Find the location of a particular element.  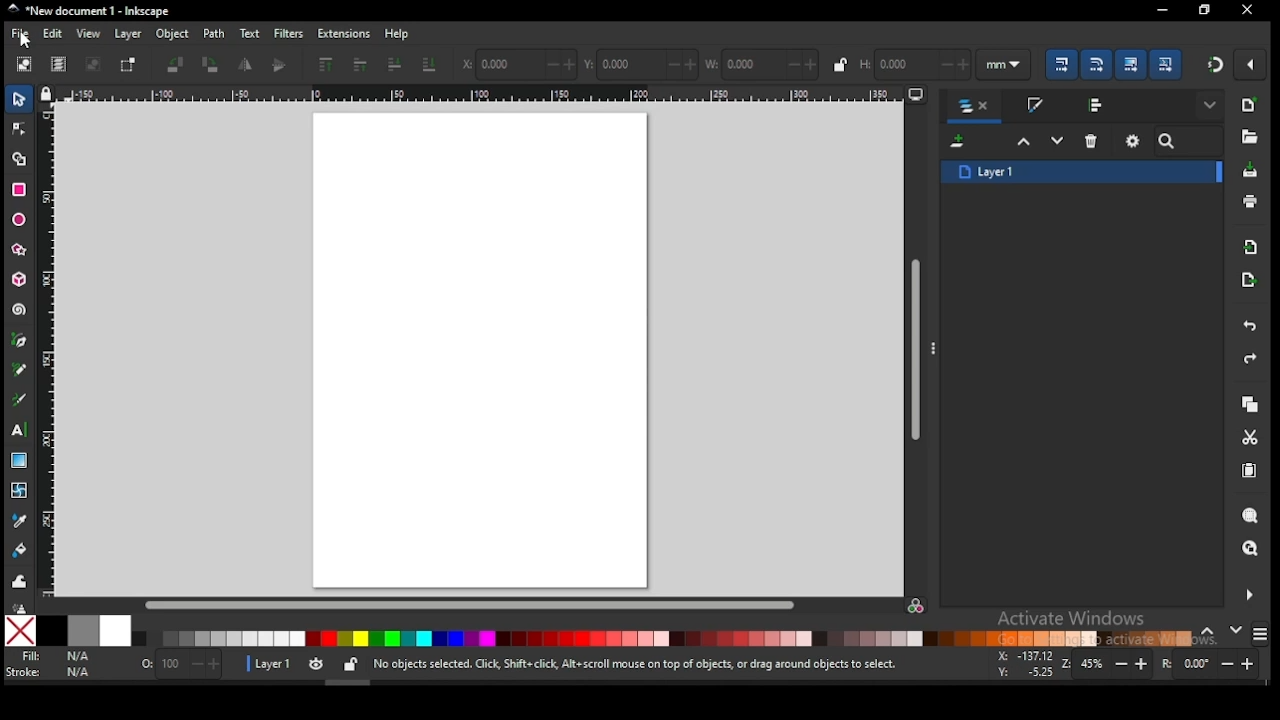

search bar is located at coordinates (1189, 141).